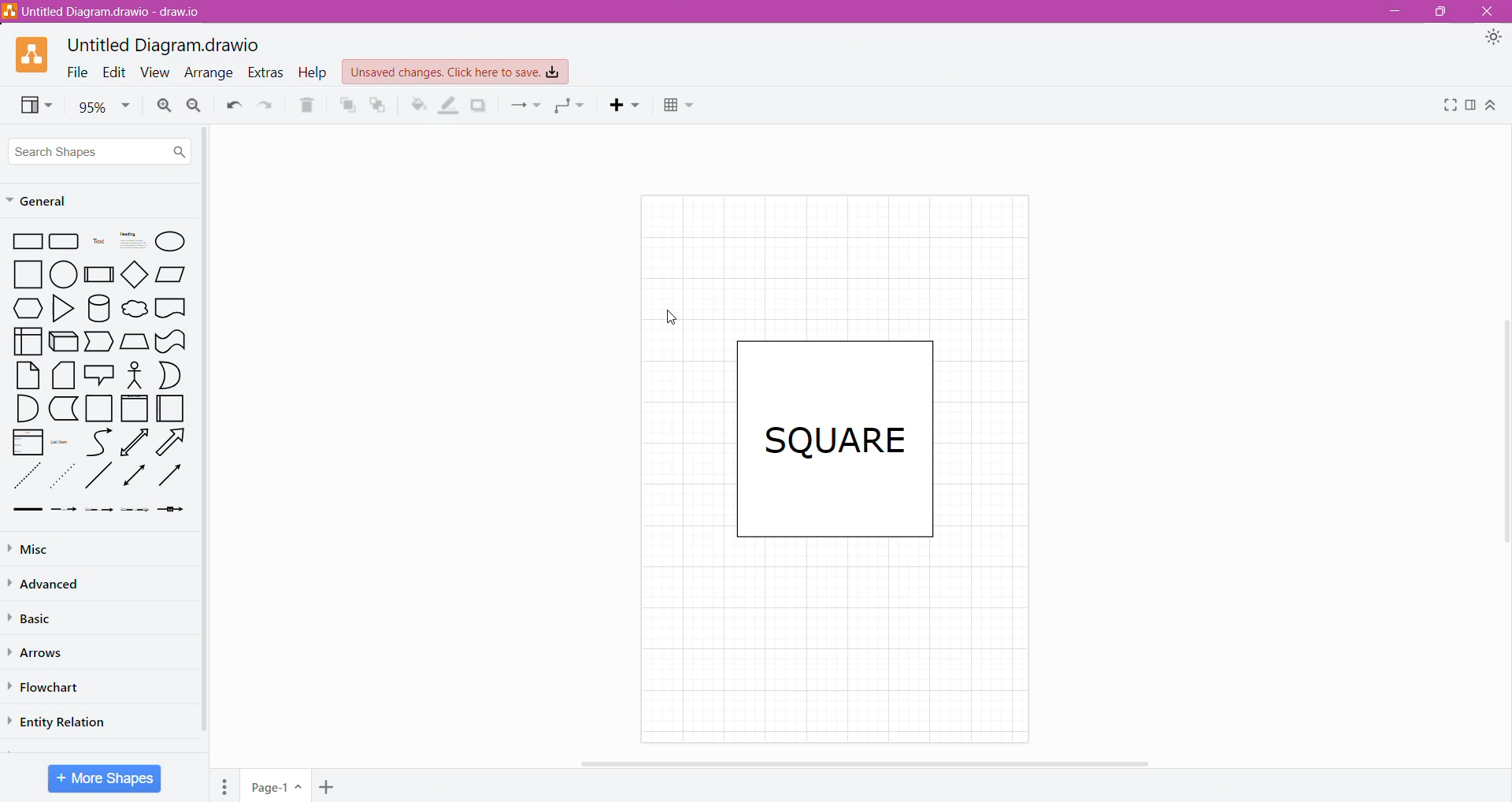  What do you see at coordinates (22, 409) in the screenshot?
I see `Quarter Circle` at bounding box center [22, 409].